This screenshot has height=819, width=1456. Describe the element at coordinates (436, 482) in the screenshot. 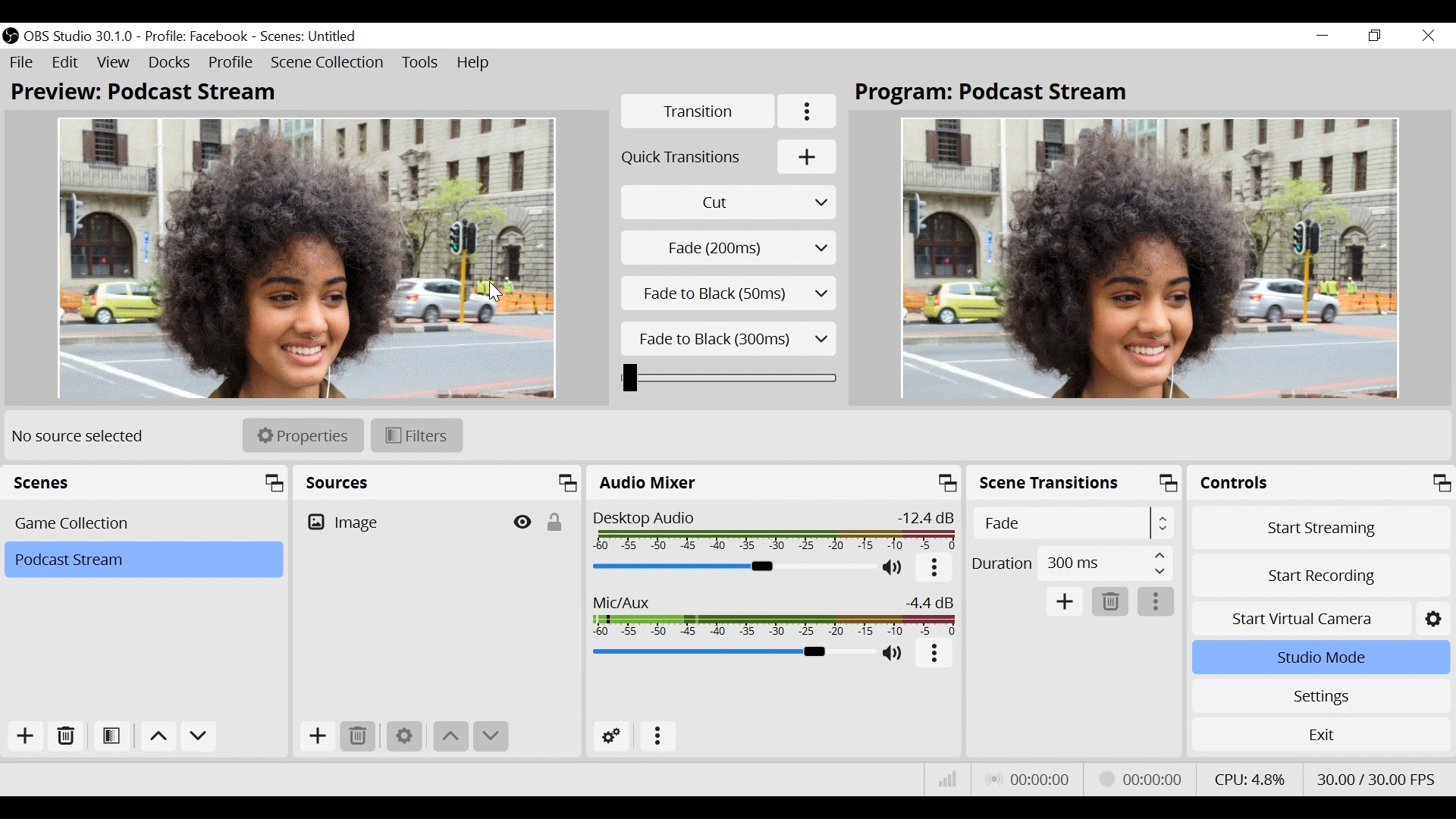

I see `Sources` at that location.